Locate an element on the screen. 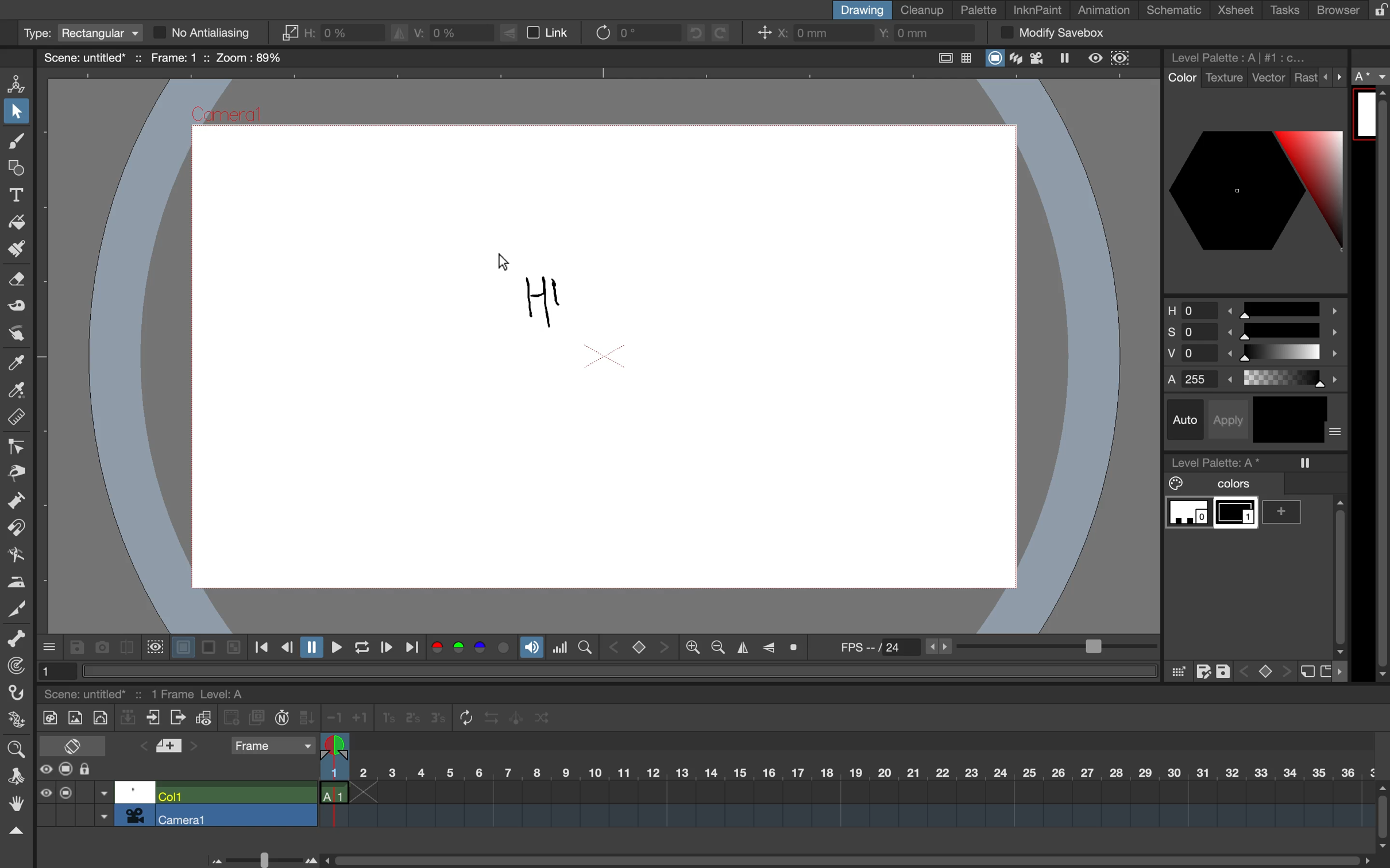 The image size is (1390, 868). tracker tool is located at coordinates (13, 668).